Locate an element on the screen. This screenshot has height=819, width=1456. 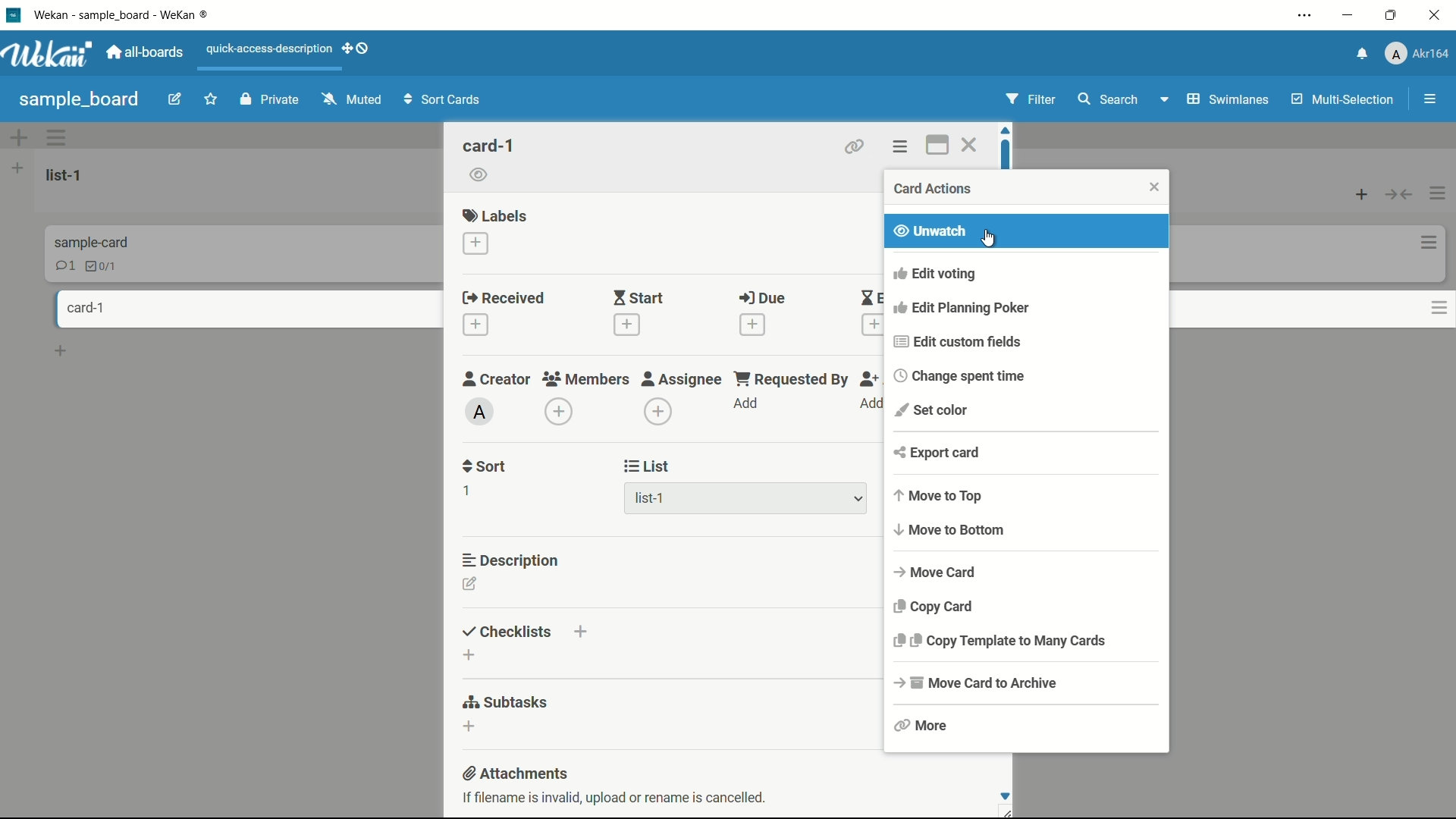
favorite is located at coordinates (212, 100).